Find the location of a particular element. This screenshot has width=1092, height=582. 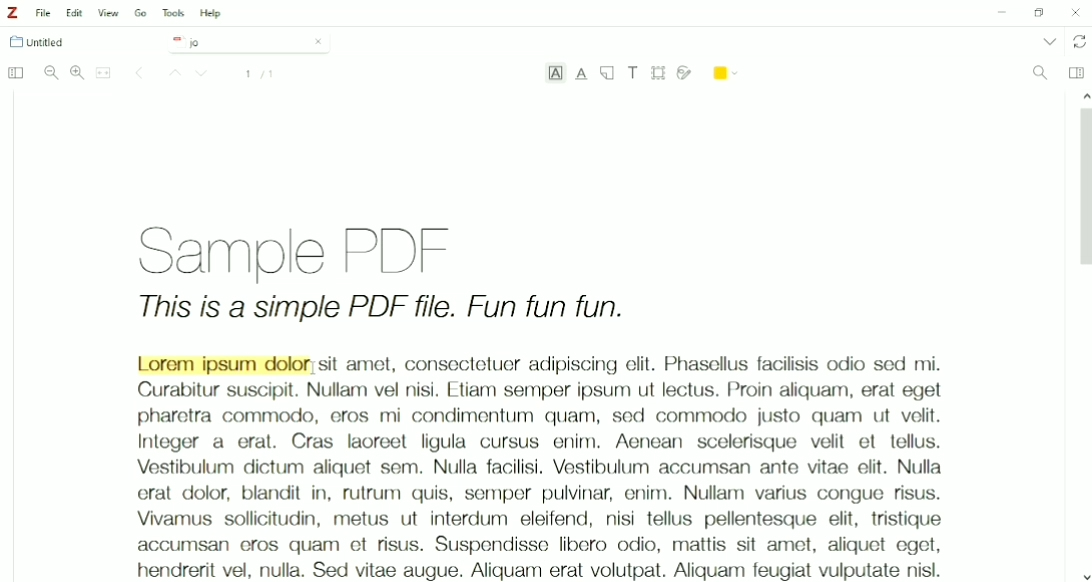

Help is located at coordinates (212, 14).